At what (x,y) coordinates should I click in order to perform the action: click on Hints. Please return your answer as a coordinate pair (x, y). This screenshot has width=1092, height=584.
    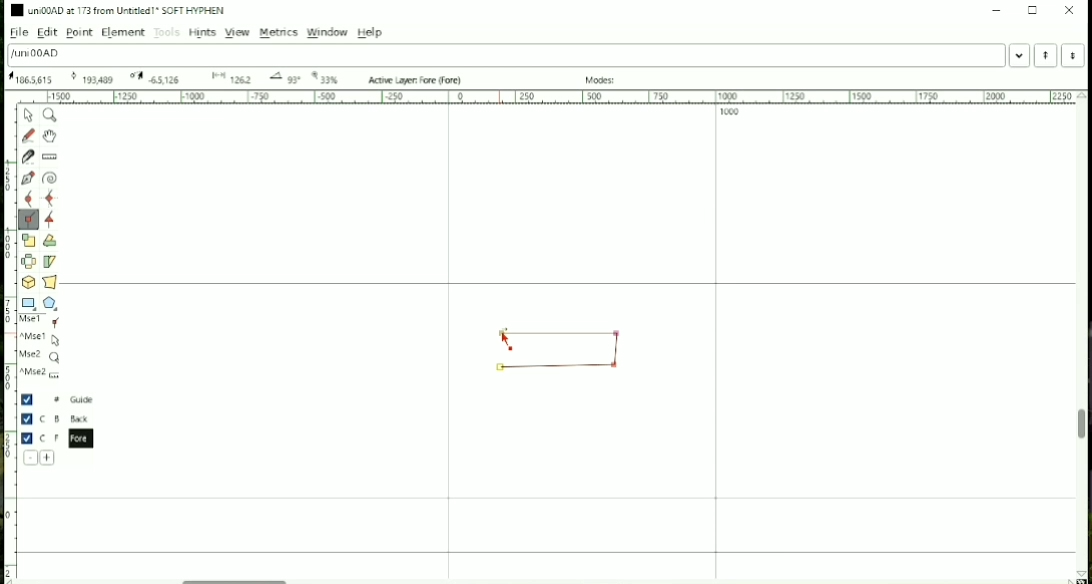
    Looking at the image, I should click on (202, 34).